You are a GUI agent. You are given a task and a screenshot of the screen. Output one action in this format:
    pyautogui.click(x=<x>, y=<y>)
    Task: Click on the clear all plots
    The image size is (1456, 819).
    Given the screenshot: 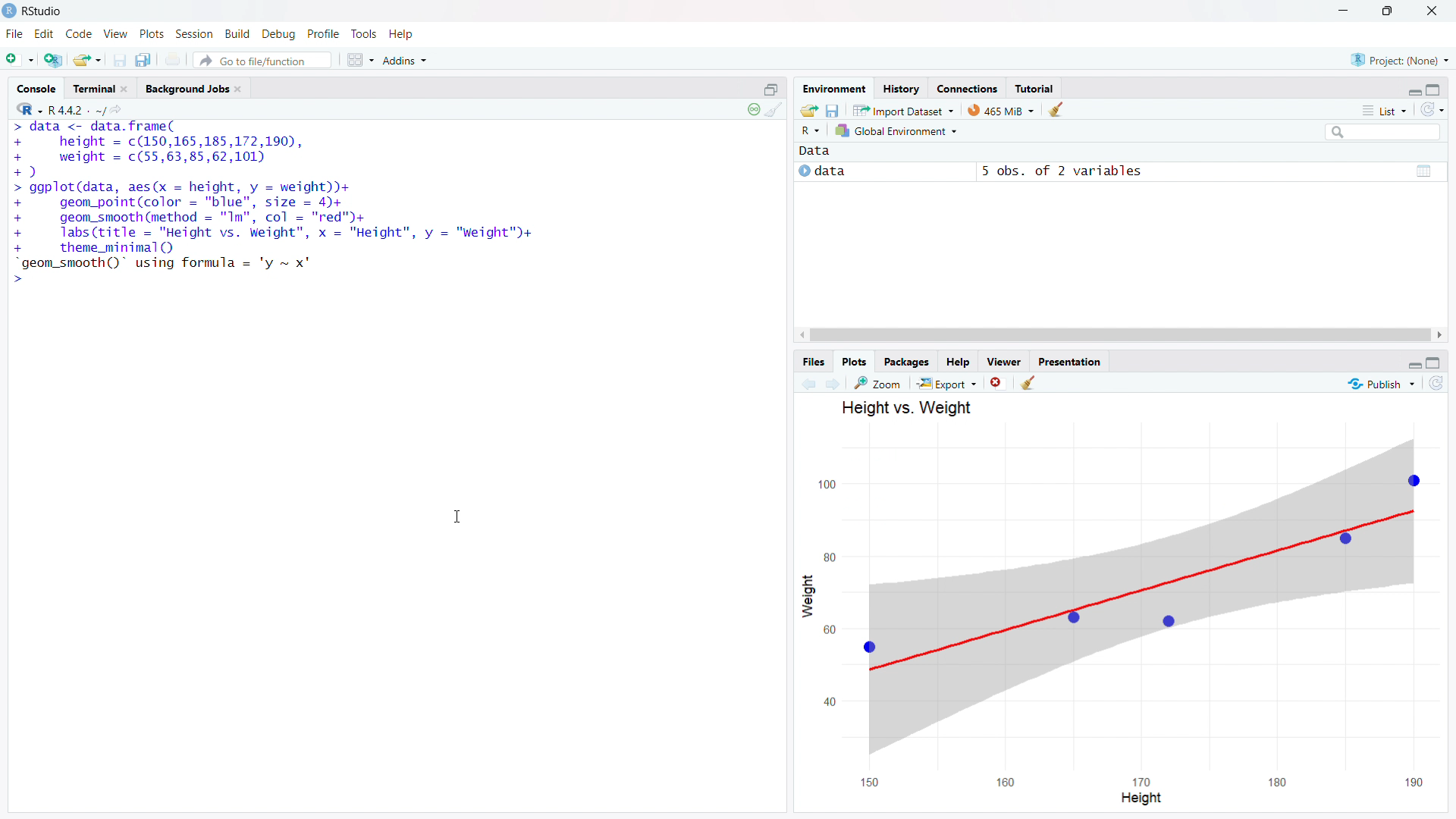 What is the action you would take?
    pyautogui.click(x=1028, y=383)
    